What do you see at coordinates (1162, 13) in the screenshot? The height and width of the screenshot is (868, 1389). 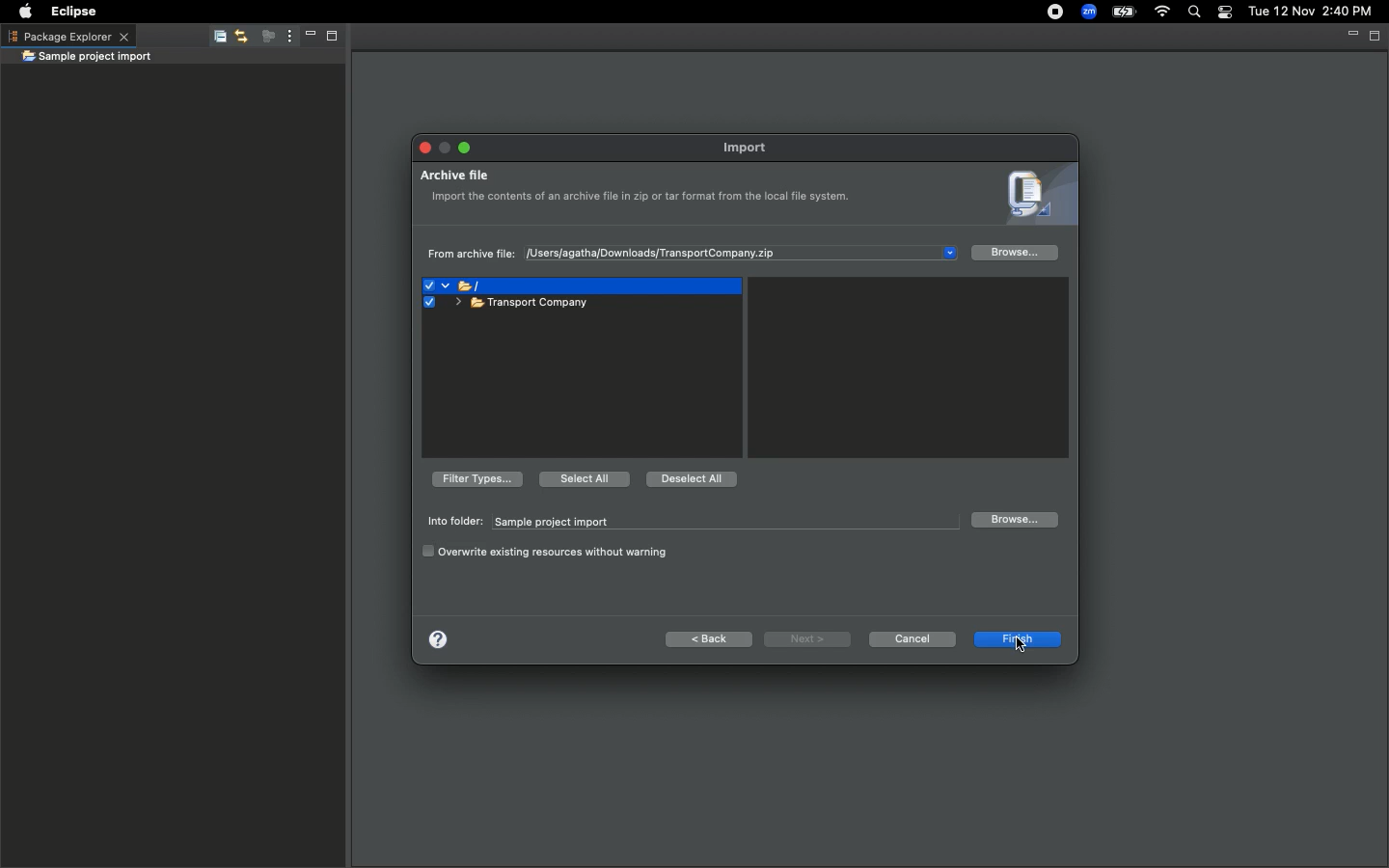 I see `Internet` at bounding box center [1162, 13].